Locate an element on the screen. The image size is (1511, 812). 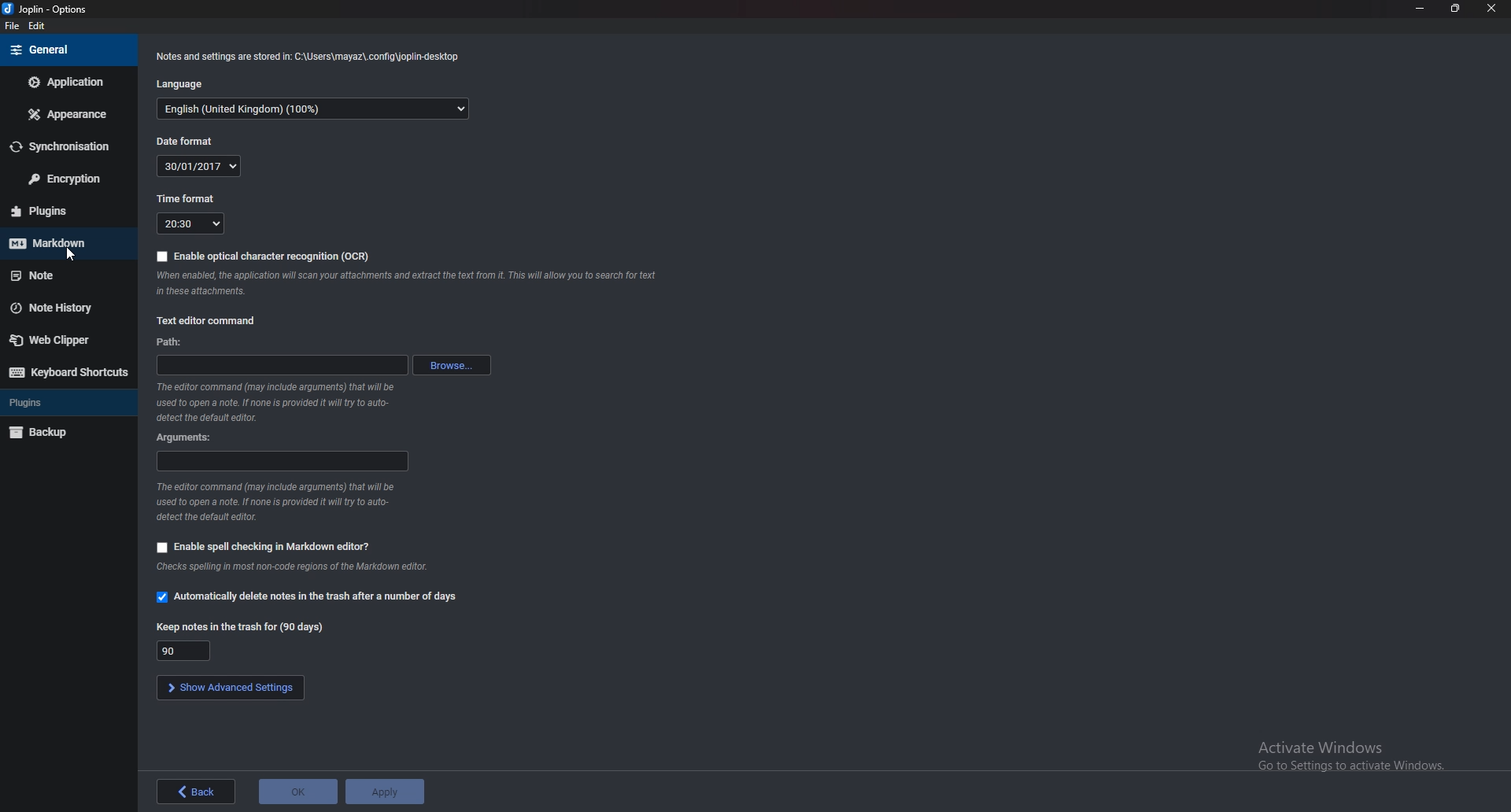
enable O C R is located at coordinates (261, 258).